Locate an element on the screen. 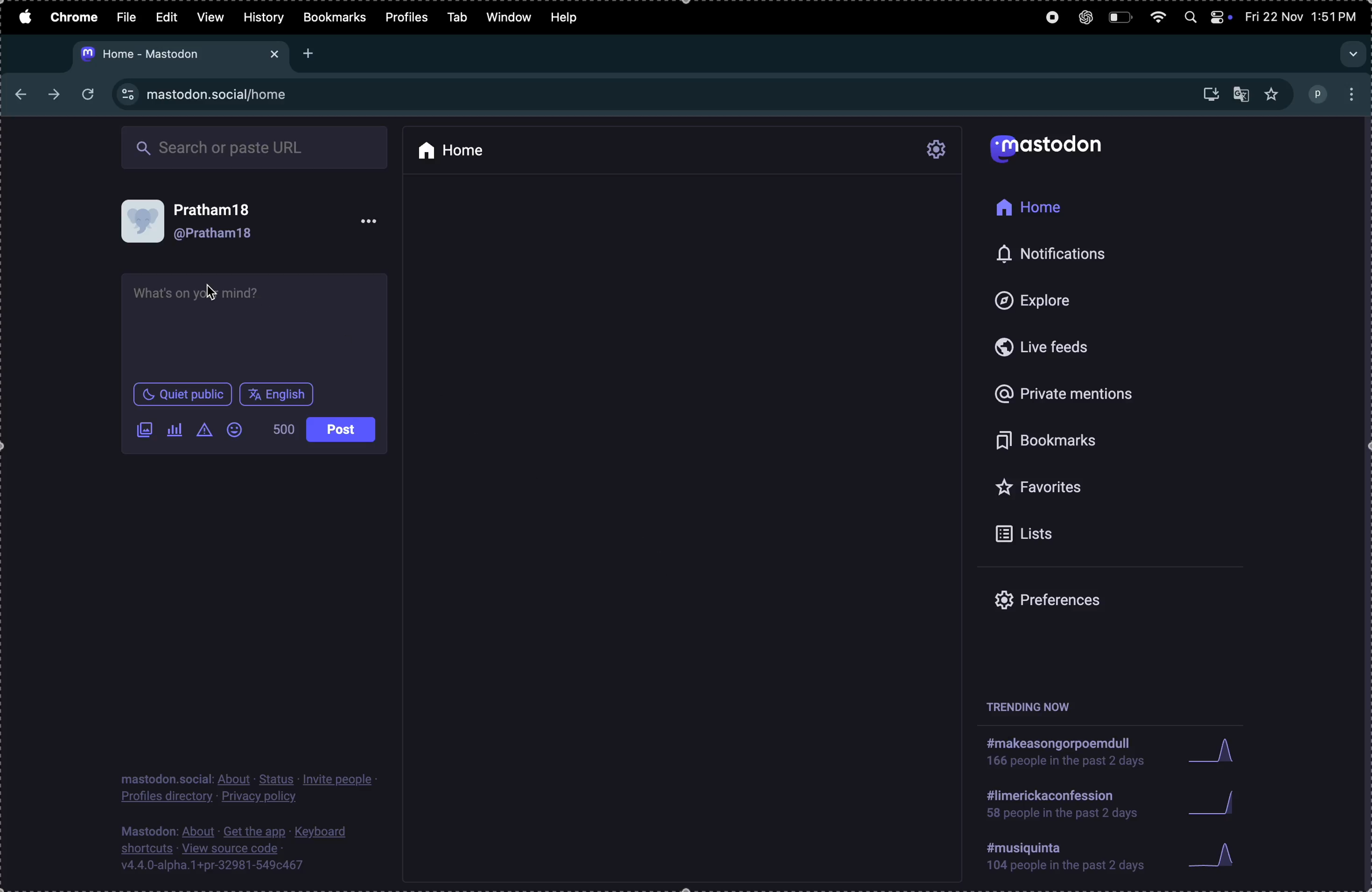 The width and height of the screenshot is (1372, 892). hashtags is located at coordinates (1063, 856).